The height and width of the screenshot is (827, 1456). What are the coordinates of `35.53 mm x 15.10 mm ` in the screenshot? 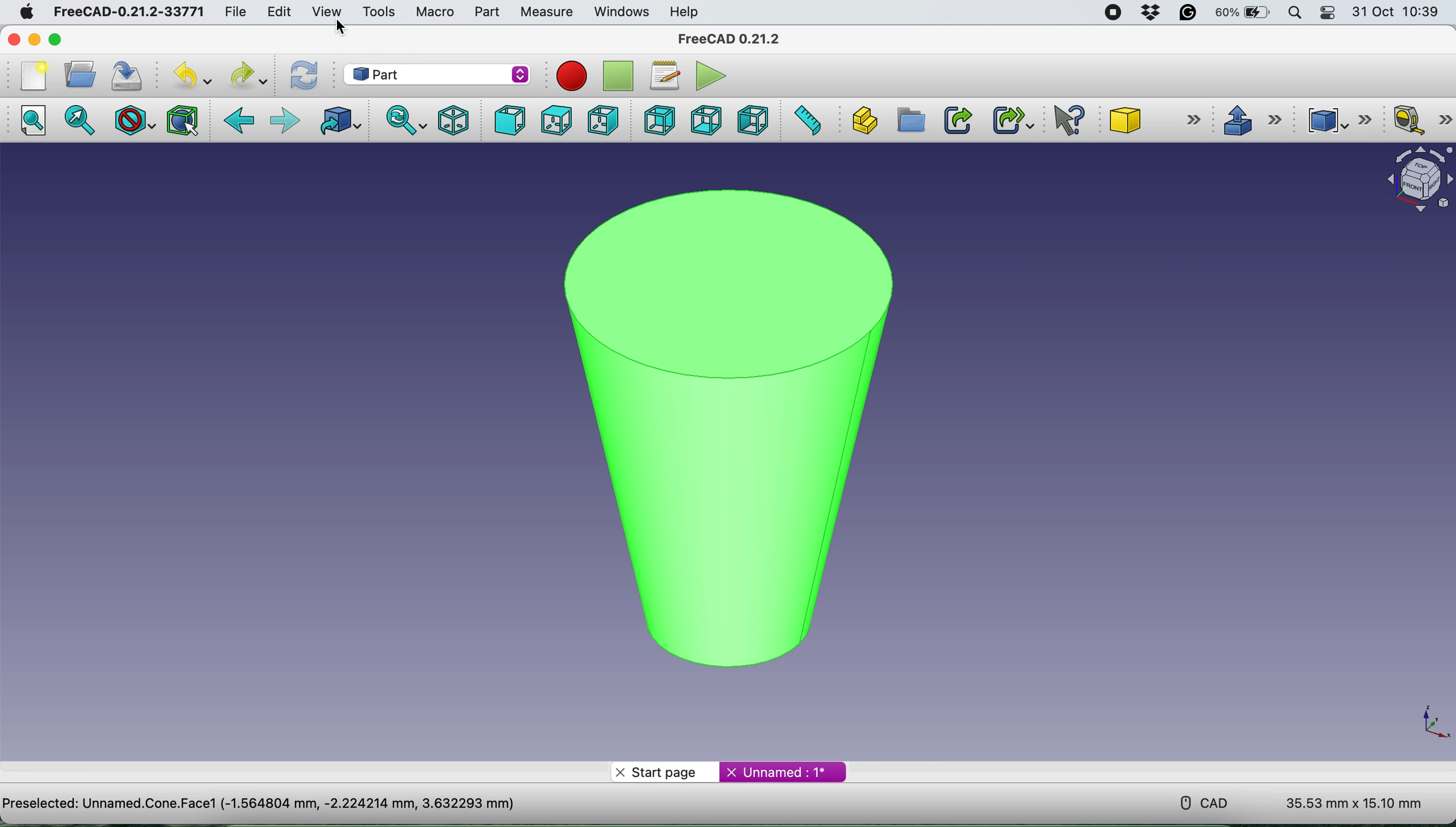 It's located at (1354, 804).